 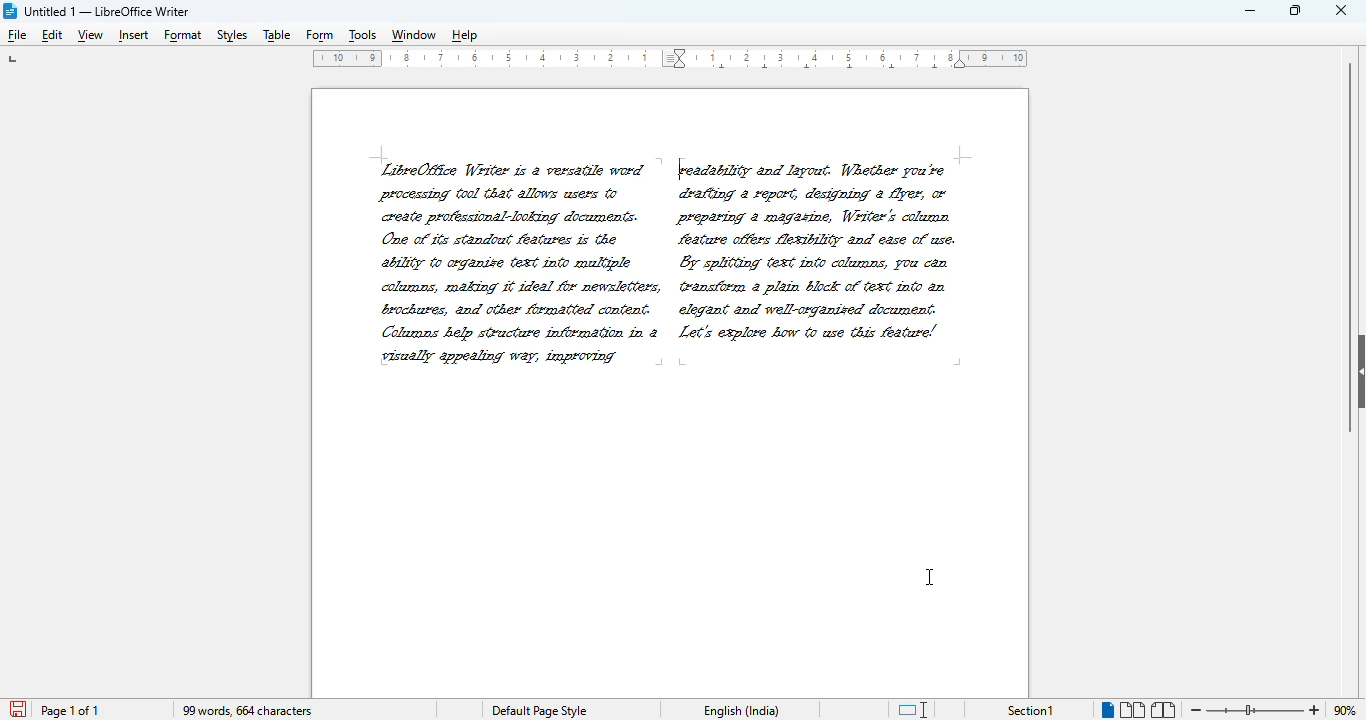 I want to click on logo, so click(x=10, y=11).